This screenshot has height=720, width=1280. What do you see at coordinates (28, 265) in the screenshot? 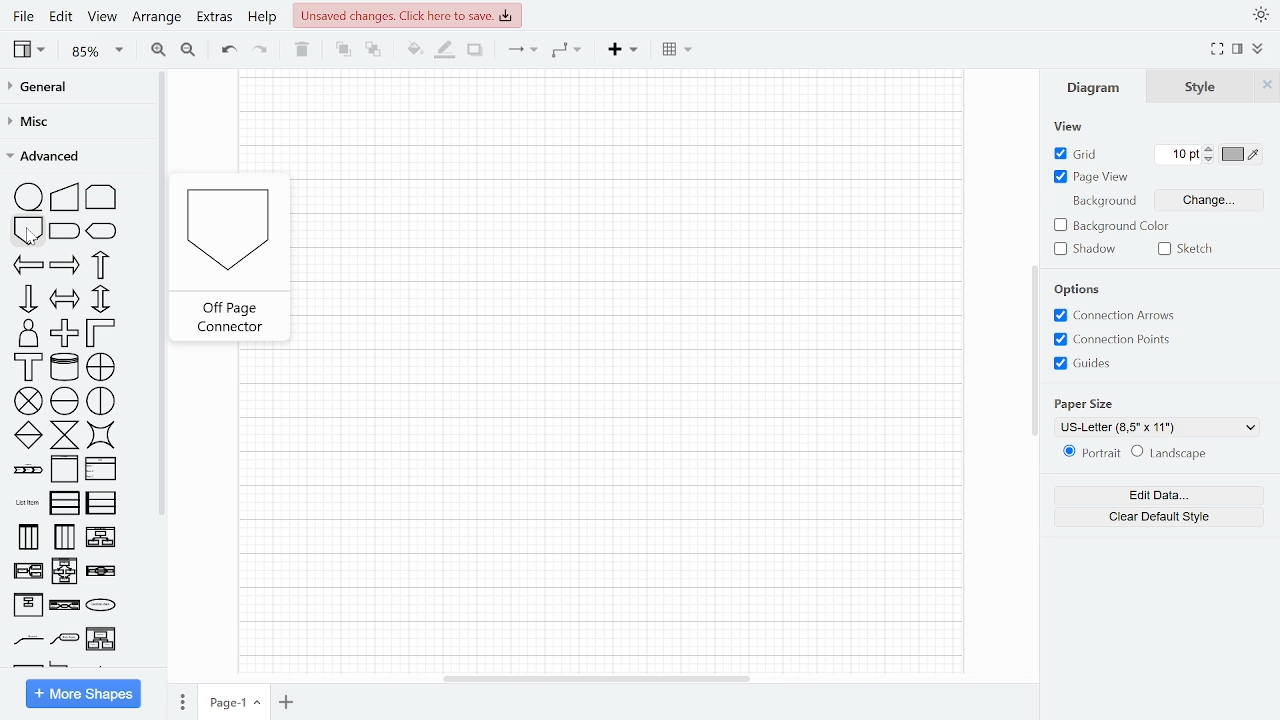
I see `arrow left` at bounding box center [28, 265].